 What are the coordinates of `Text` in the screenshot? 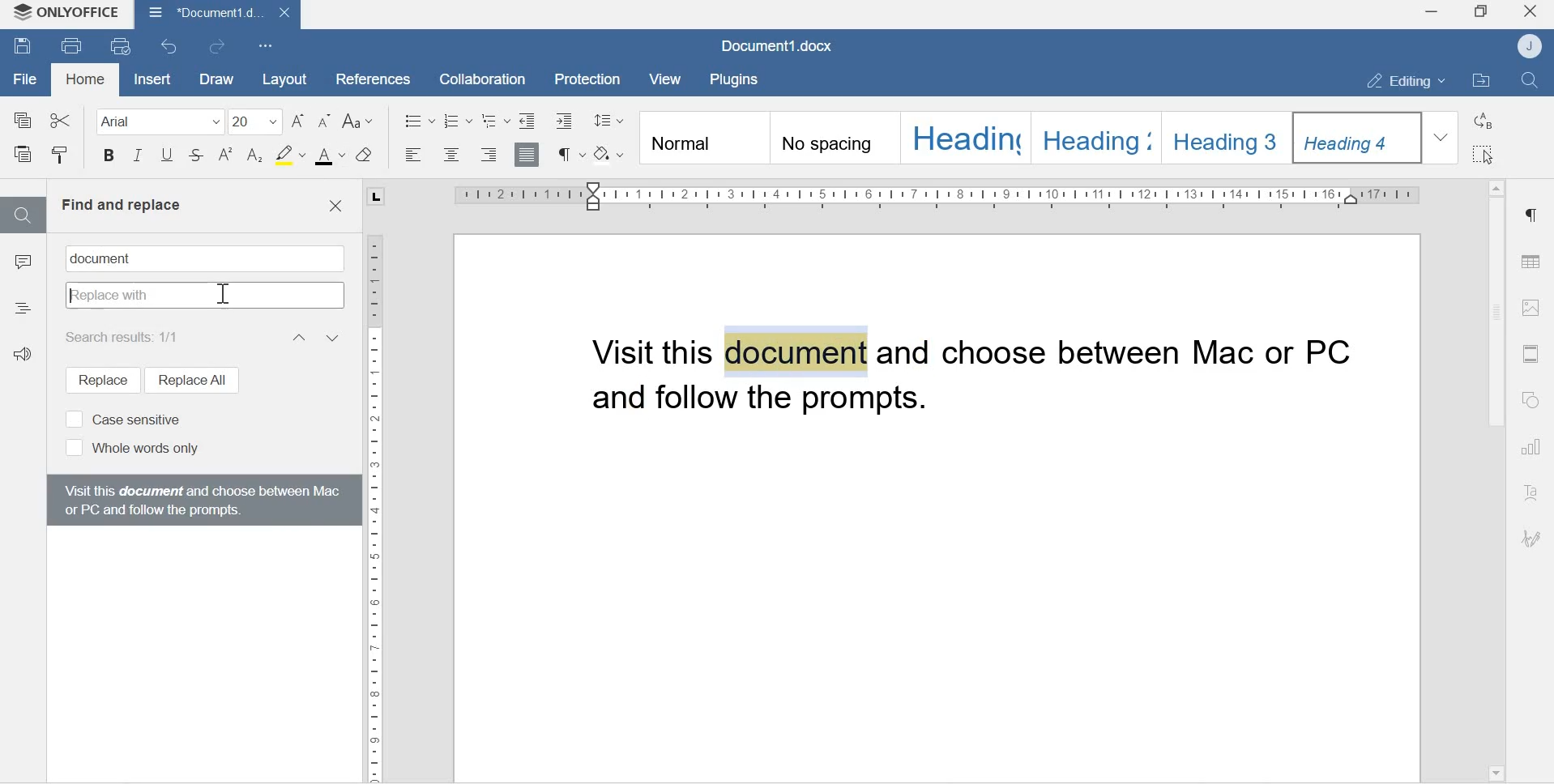 It's located at (1533, 494).